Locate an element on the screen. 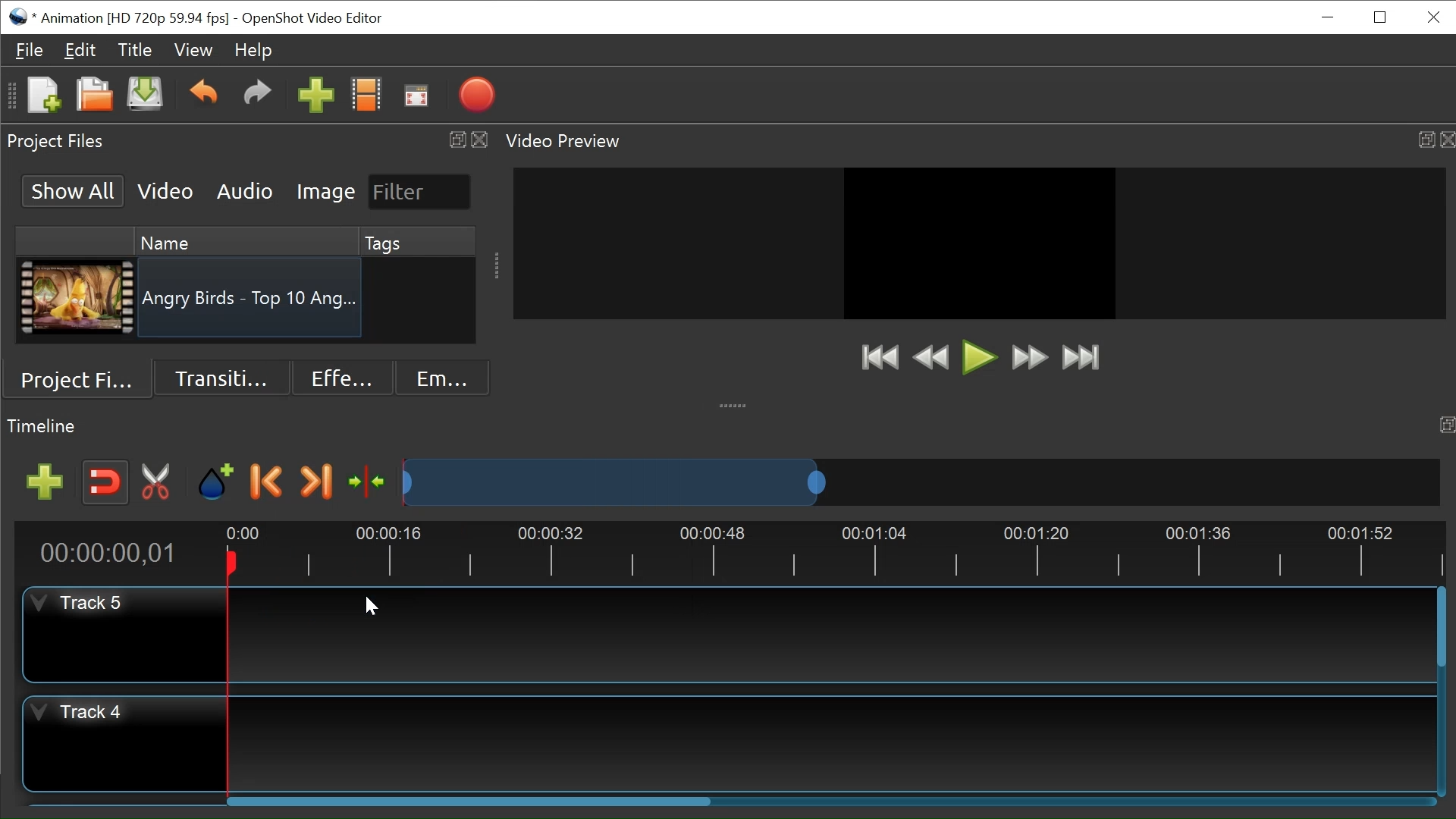 The image size is (1456, 819). Zoom Slider is located at coordinates (921, 482).